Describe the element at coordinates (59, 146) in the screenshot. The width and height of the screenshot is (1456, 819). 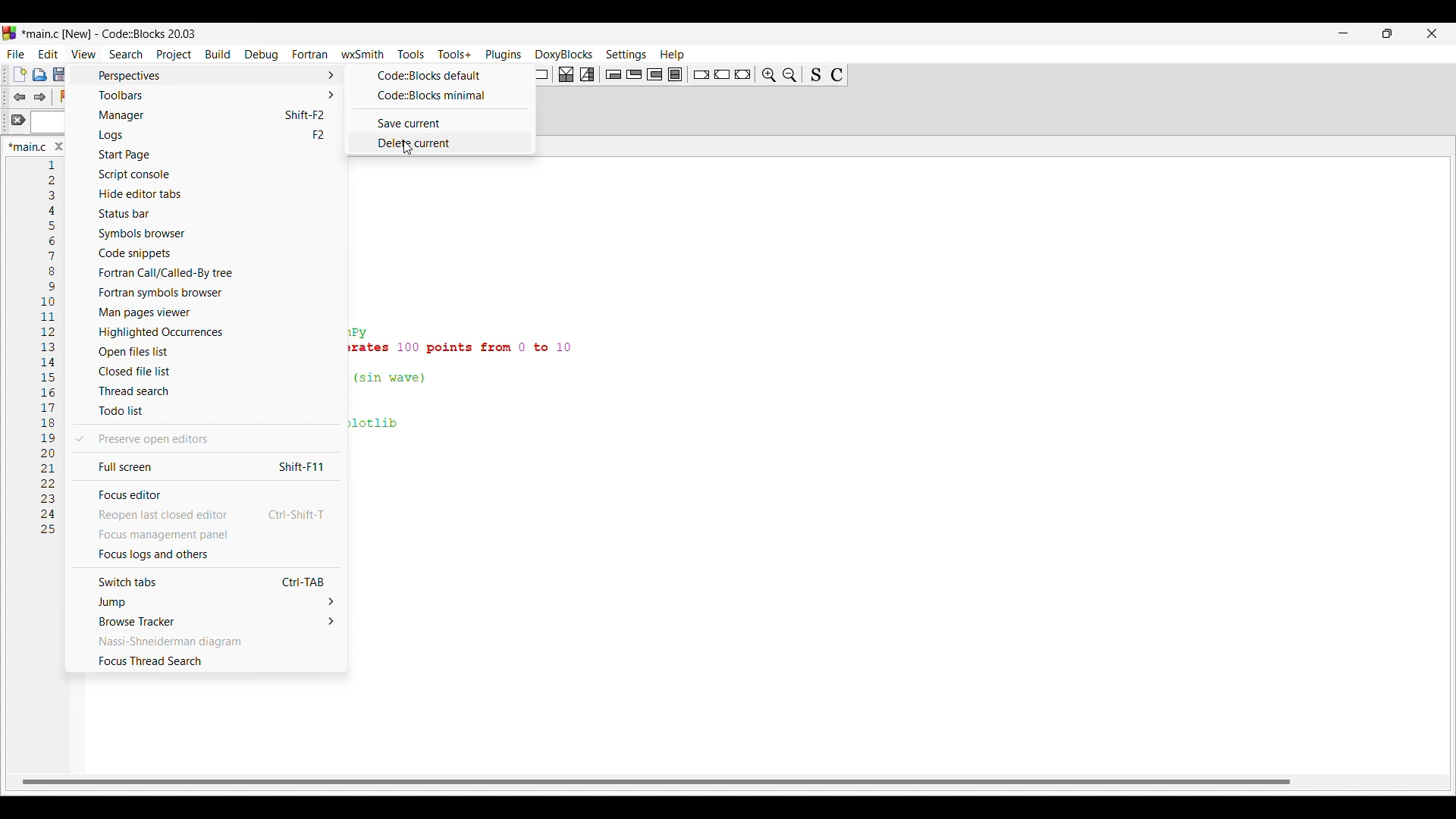
I see `Close` at that location.